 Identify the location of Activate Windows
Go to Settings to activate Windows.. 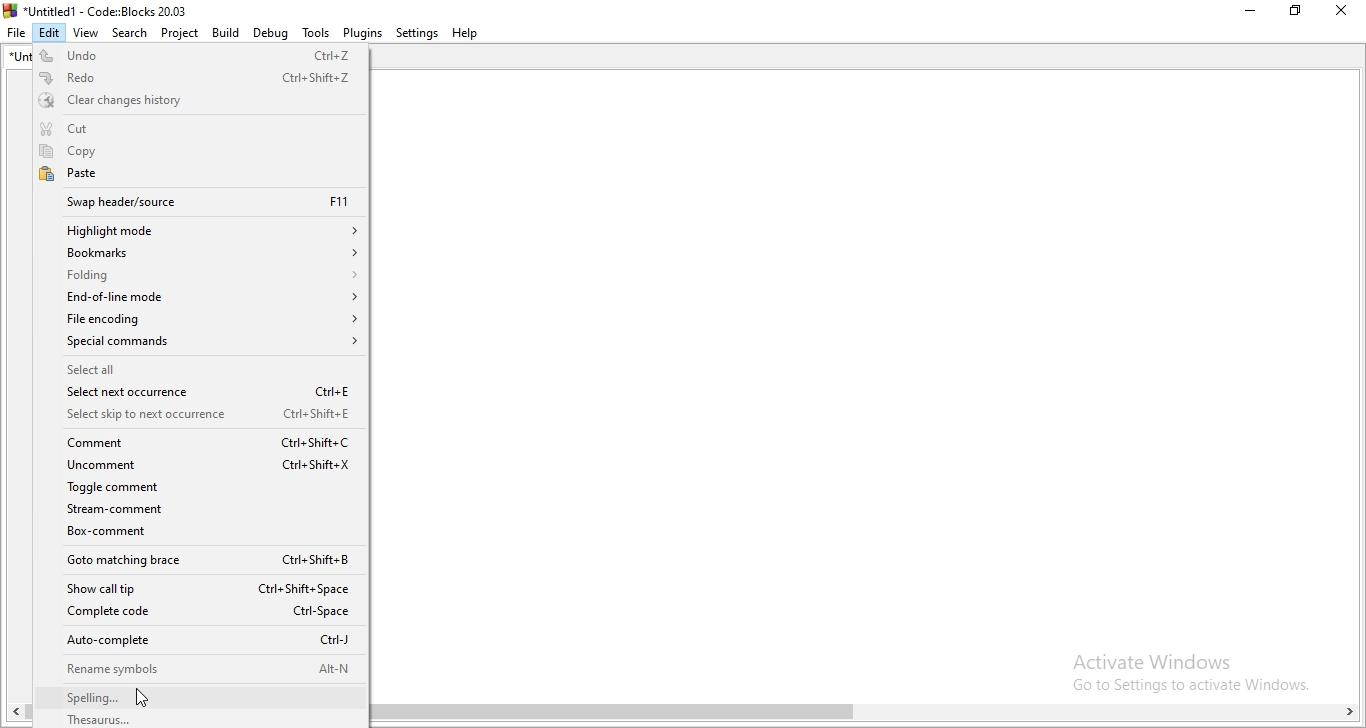
(1189, 671).